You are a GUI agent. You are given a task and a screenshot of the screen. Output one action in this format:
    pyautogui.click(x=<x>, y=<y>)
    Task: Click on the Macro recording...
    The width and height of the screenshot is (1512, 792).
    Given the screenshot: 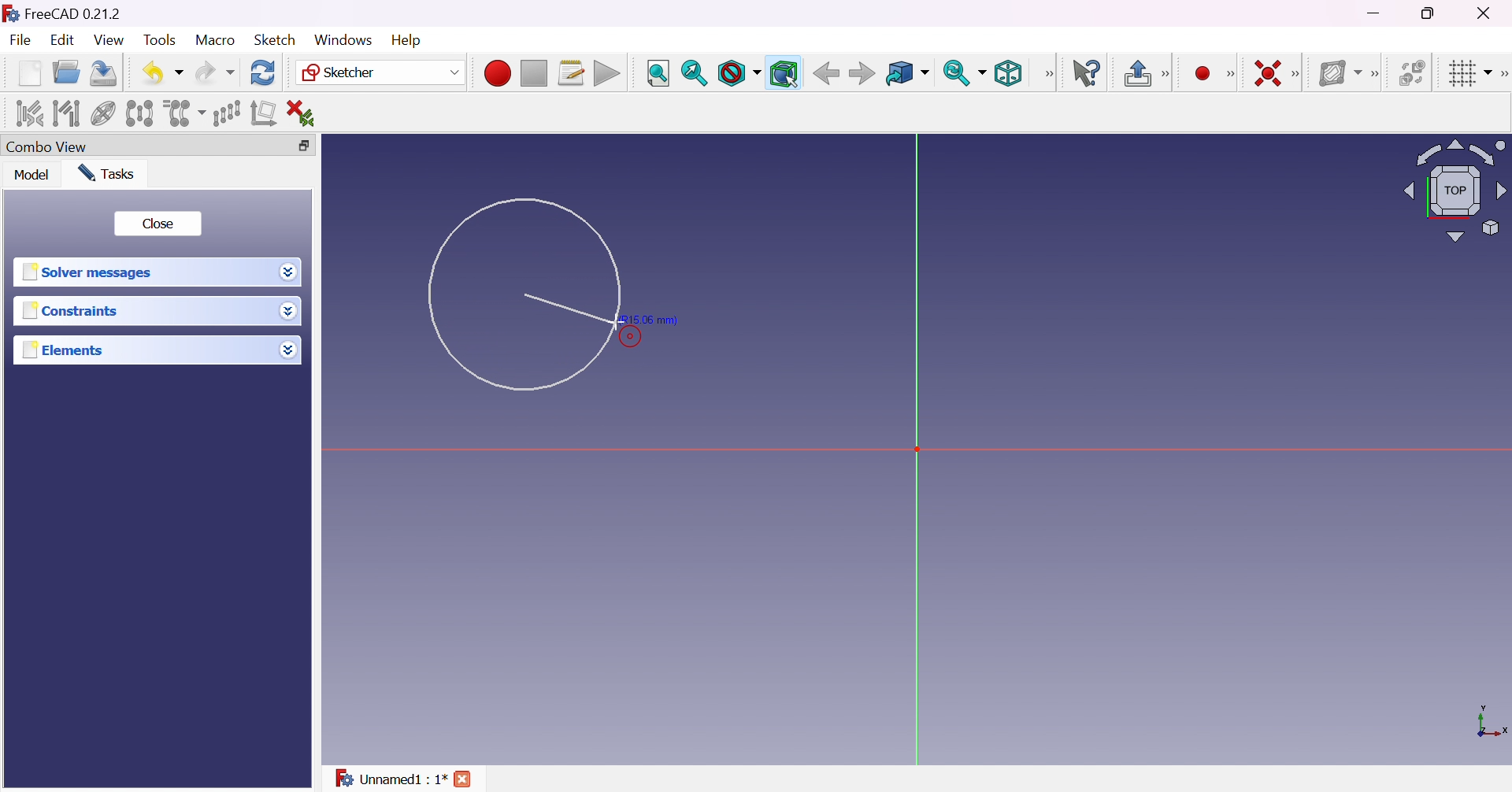 What is the action you would take?
    pyautogui.click(x=497, y=71)
    